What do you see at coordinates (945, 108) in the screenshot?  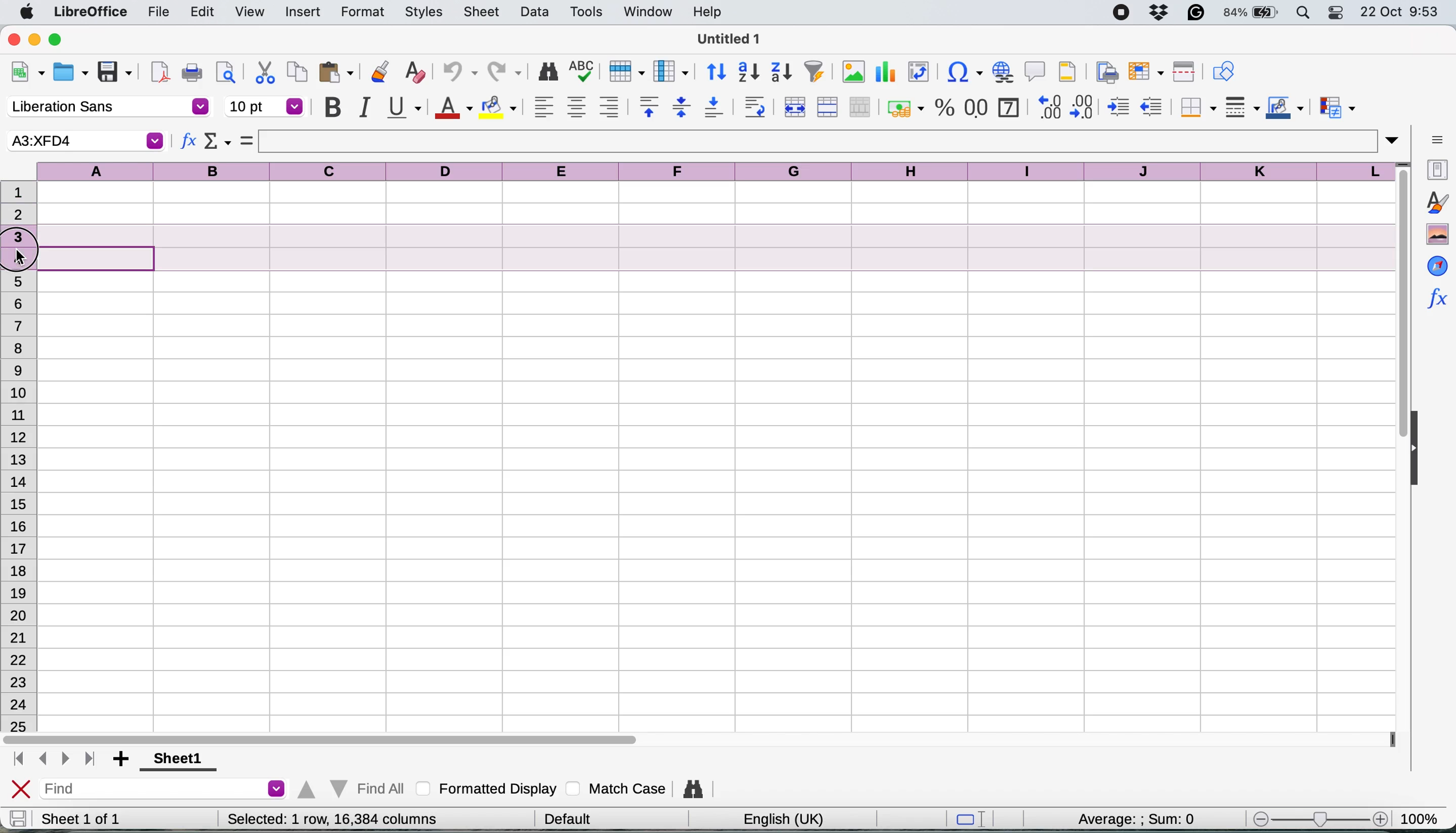 I see `format as percentage` at bounding box center [945, 108].